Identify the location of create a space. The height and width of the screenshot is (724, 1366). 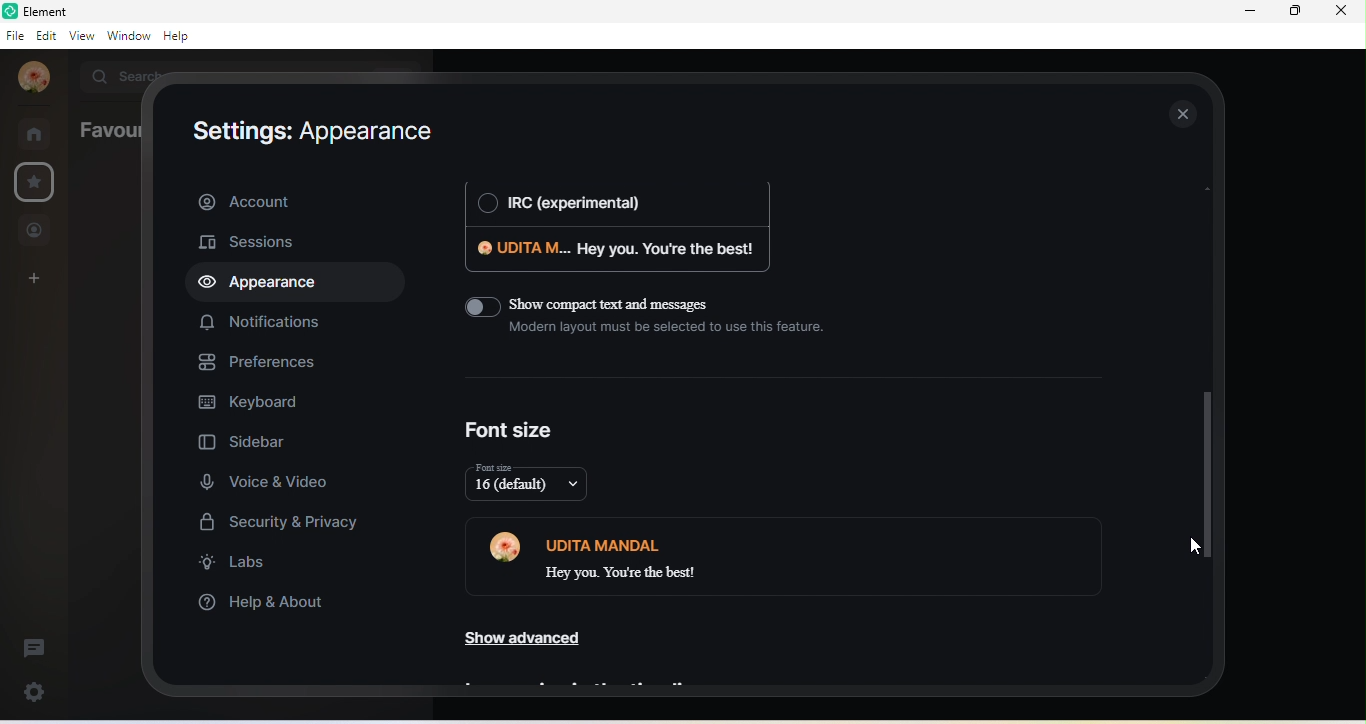
(35, 280).